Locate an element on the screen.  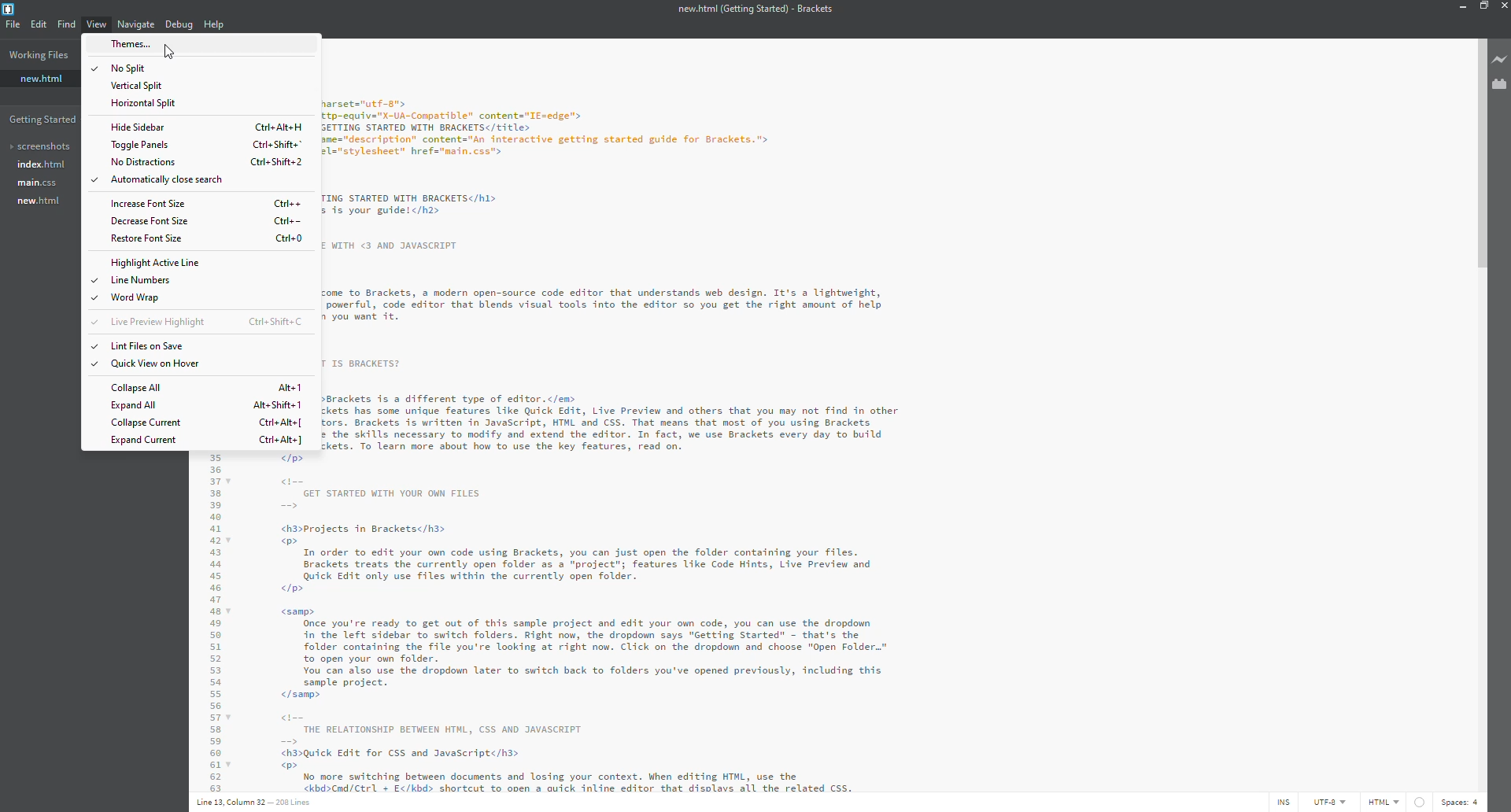
collapse all is located at coordinates (136, 387).